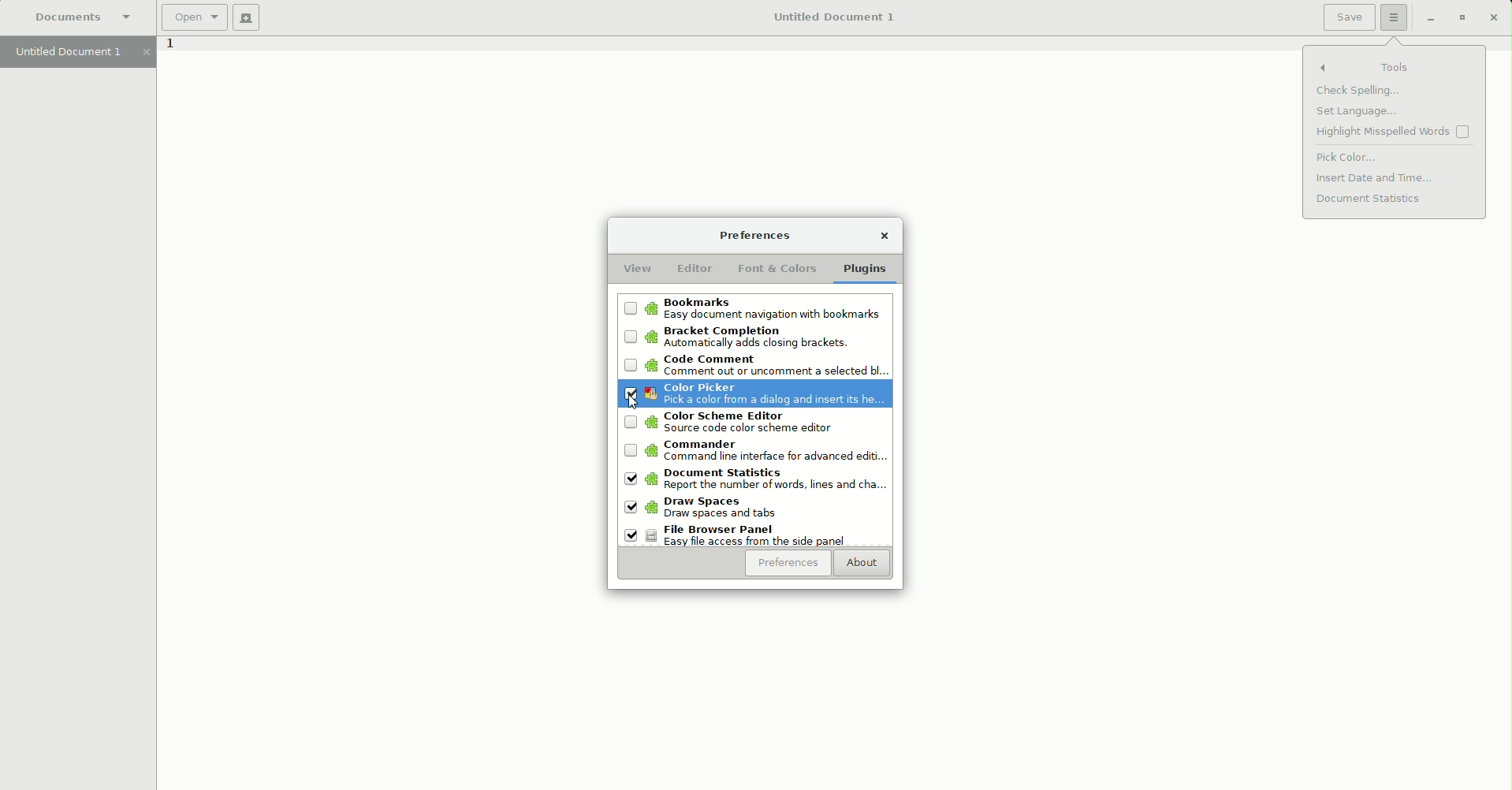  I want to click on Color Scheme editor: Source code color scheme editor, so click(750, 422).